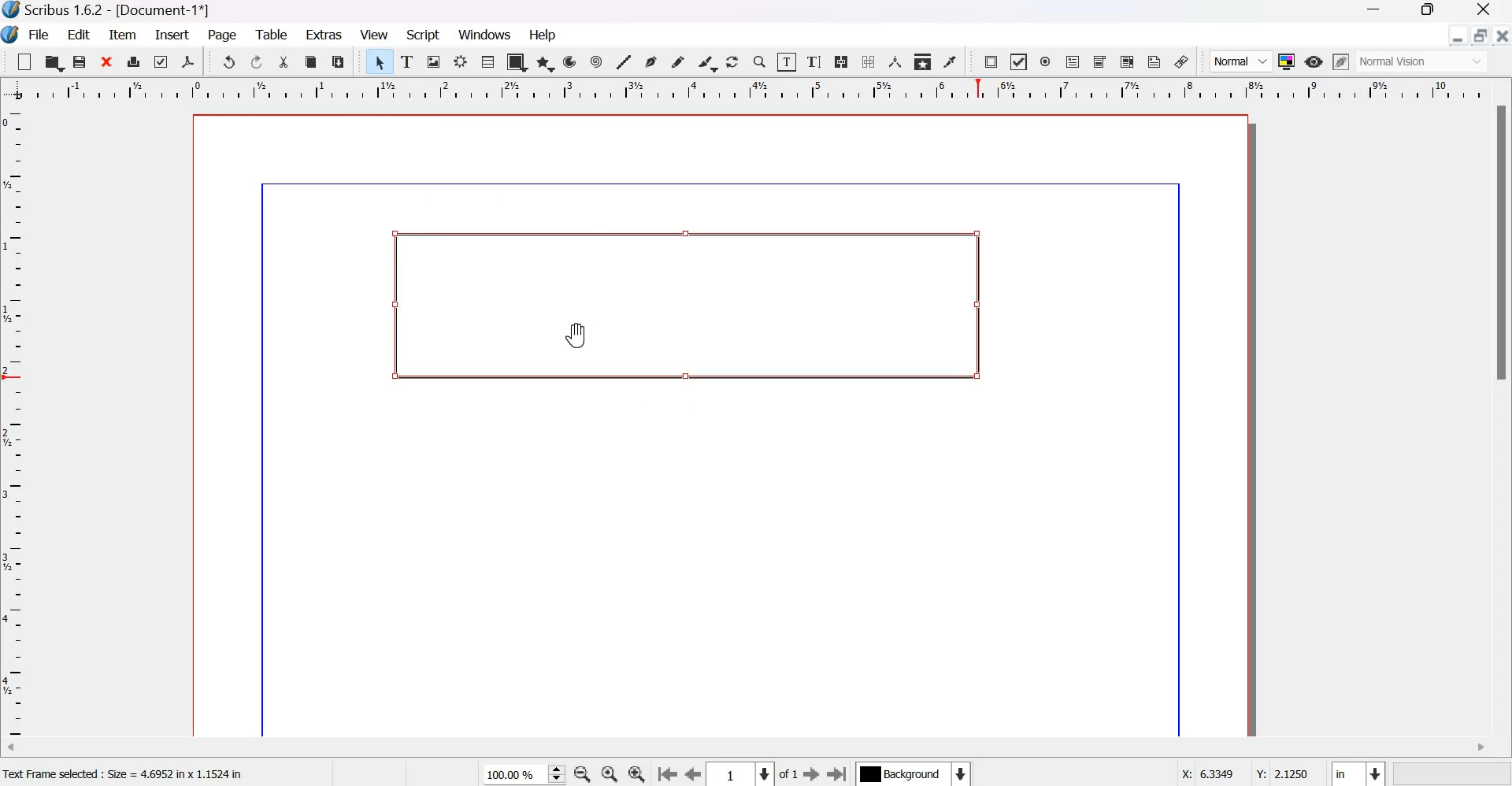 This screenshot has width=1512, height=786. Describe the element at coordinates (1480, 35) in the screenshot. I see `maximize` at that location.